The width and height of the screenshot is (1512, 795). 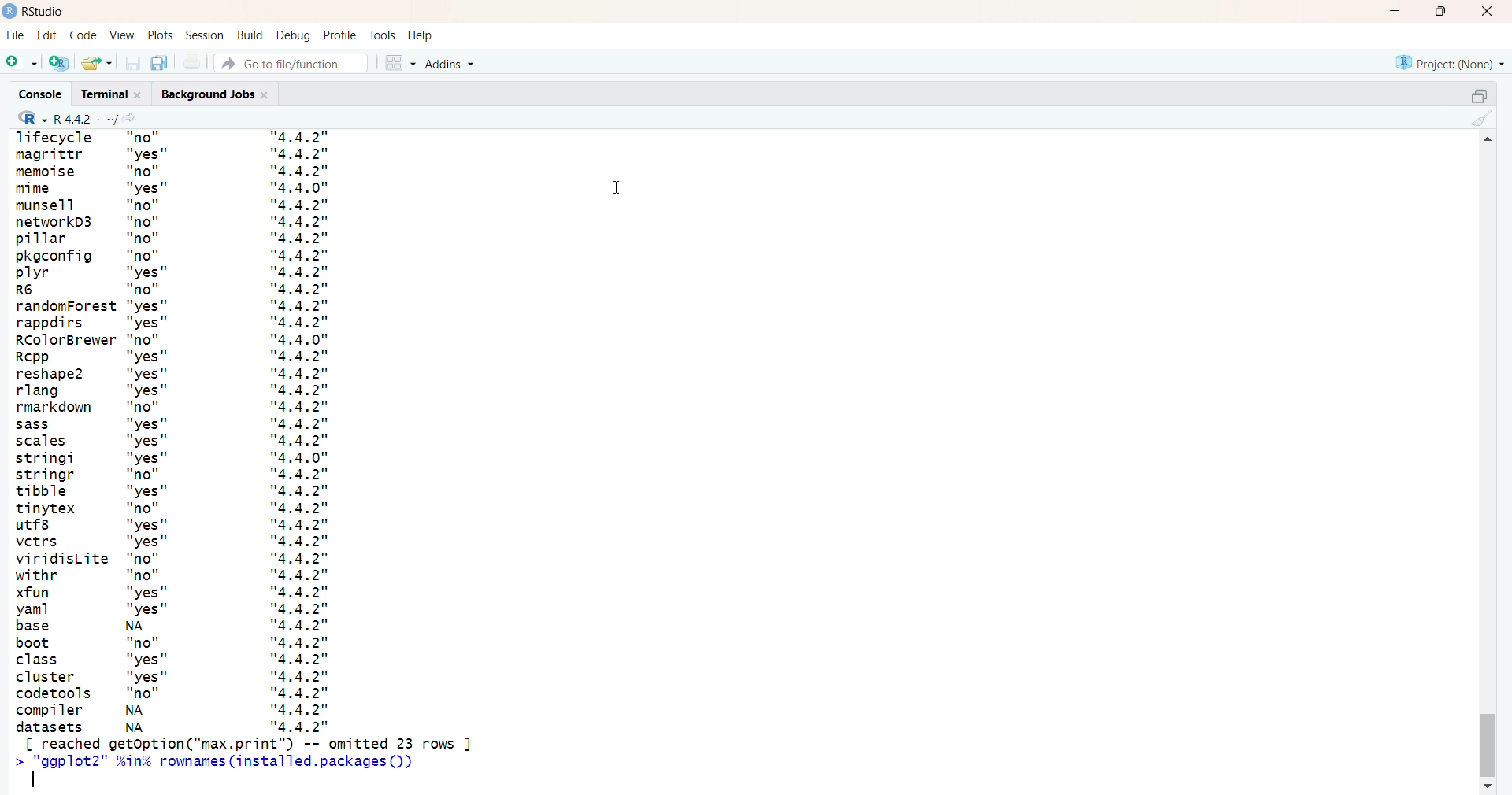 I want to click on edit, so click(x=48, y=35).